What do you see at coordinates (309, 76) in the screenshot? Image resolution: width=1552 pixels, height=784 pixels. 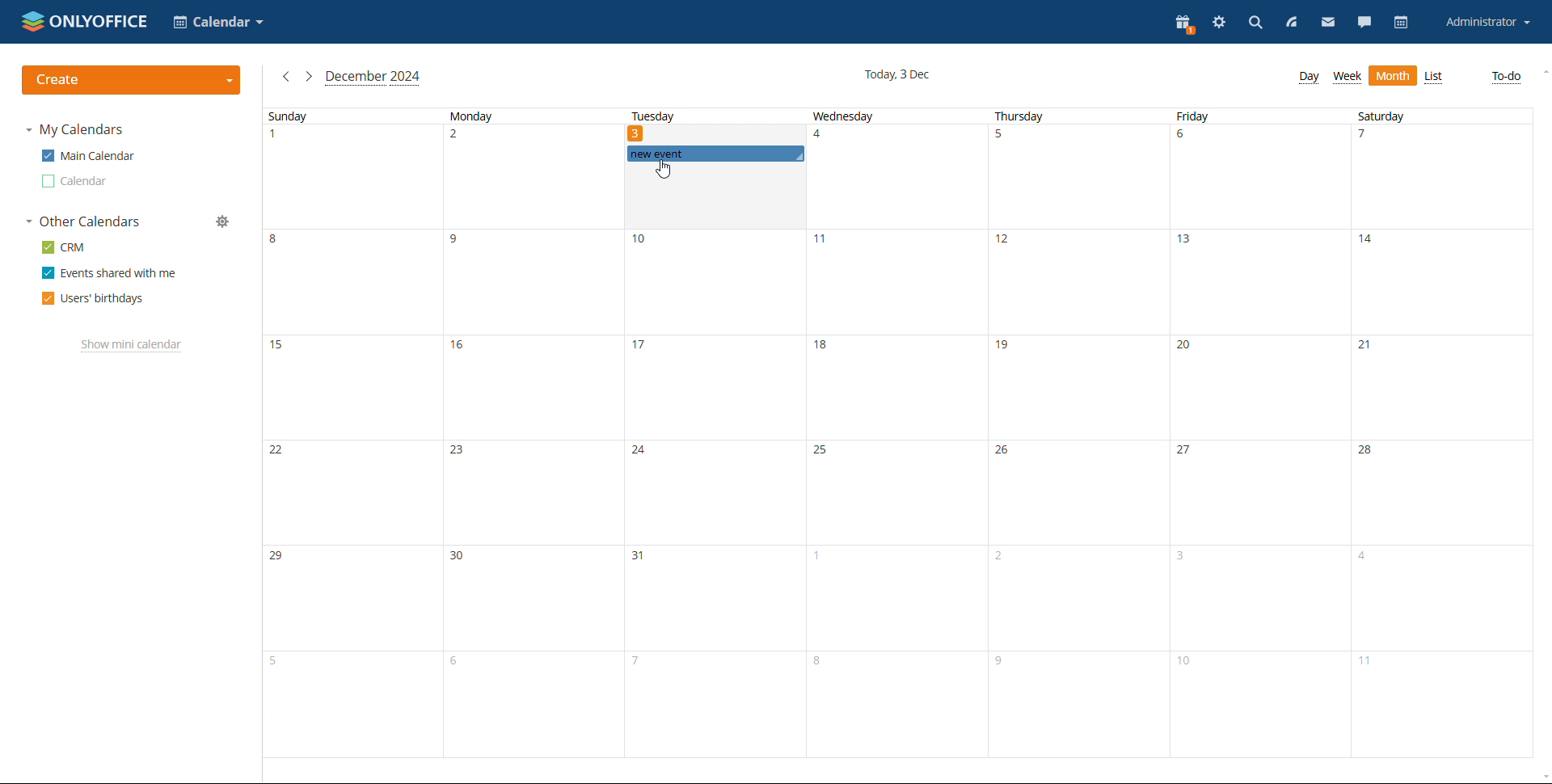 I see `next month` at bounding box center [309, 76].